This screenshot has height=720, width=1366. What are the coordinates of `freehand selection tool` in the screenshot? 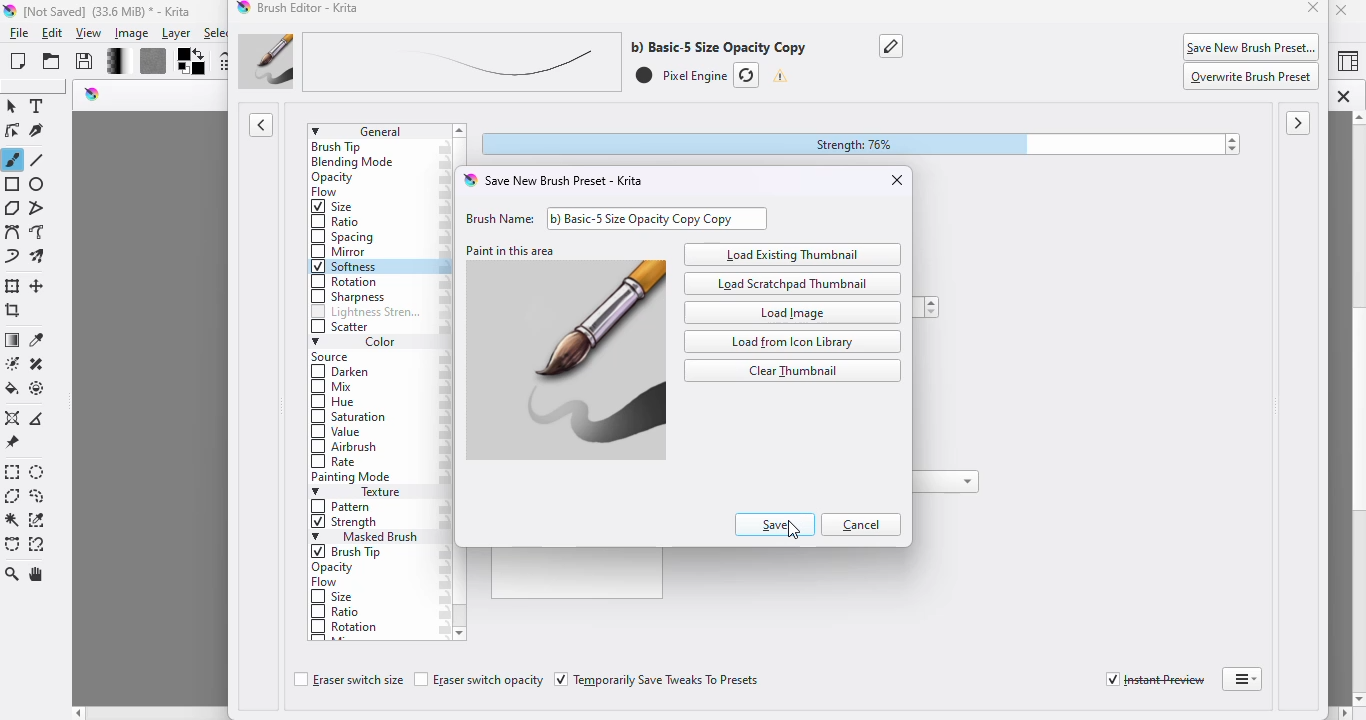 It's located at (37, 496).